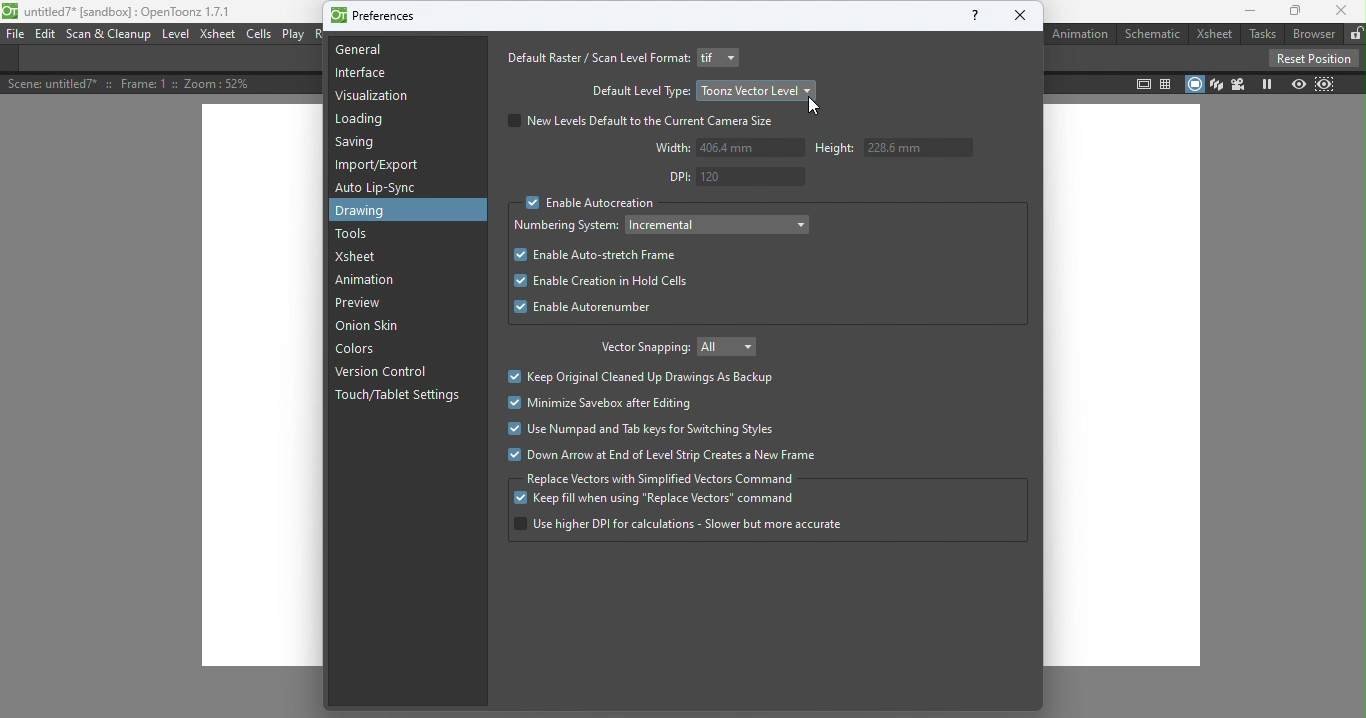 Image resolution: width=1366 pixels, height=718 pixels. What do you see at coordinates (639, 348) in the screenshot?
I see `Vector snapping` at bounding box center [639, 348].